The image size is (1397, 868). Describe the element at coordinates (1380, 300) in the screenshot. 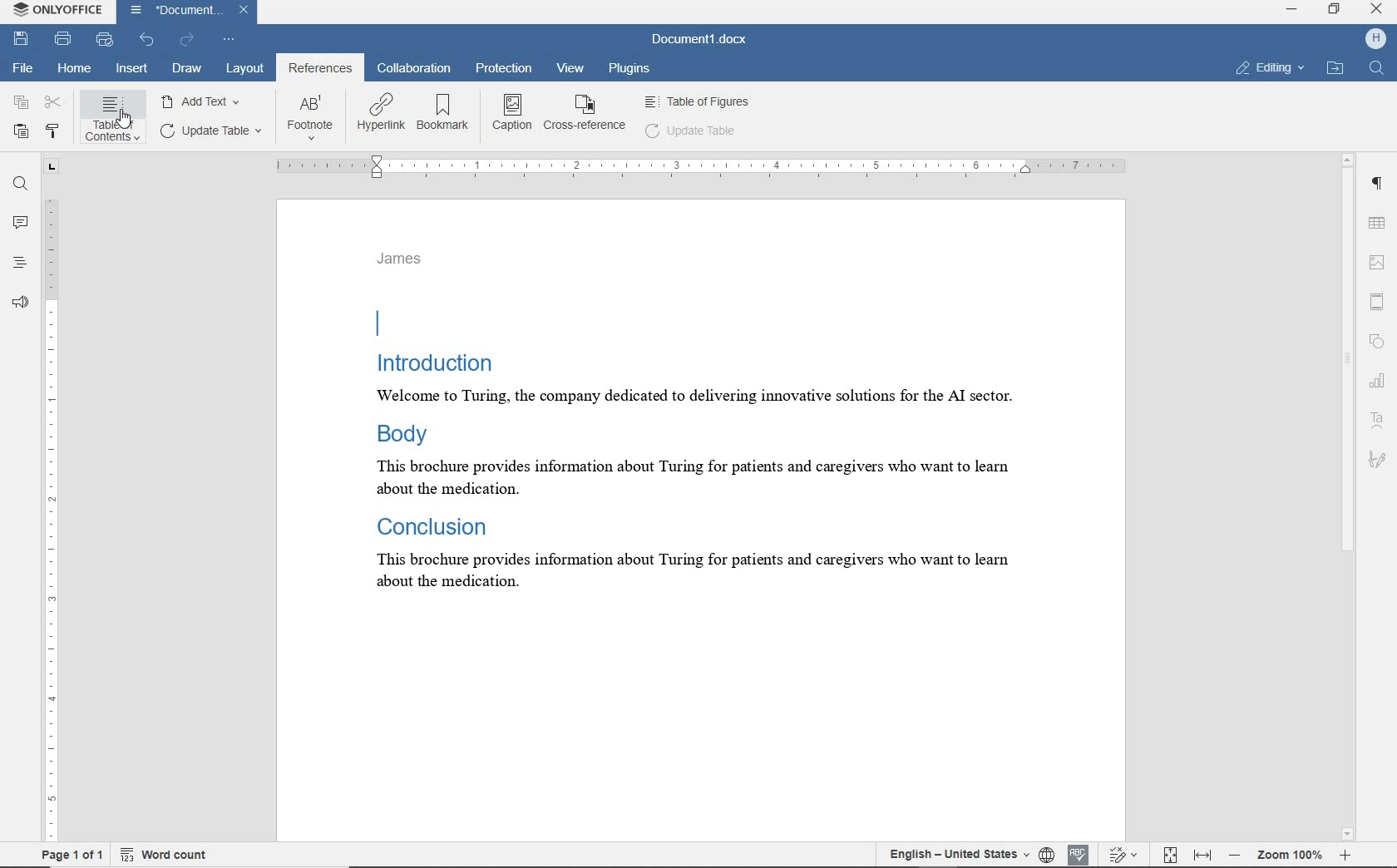

I see `header & footer` at that location.